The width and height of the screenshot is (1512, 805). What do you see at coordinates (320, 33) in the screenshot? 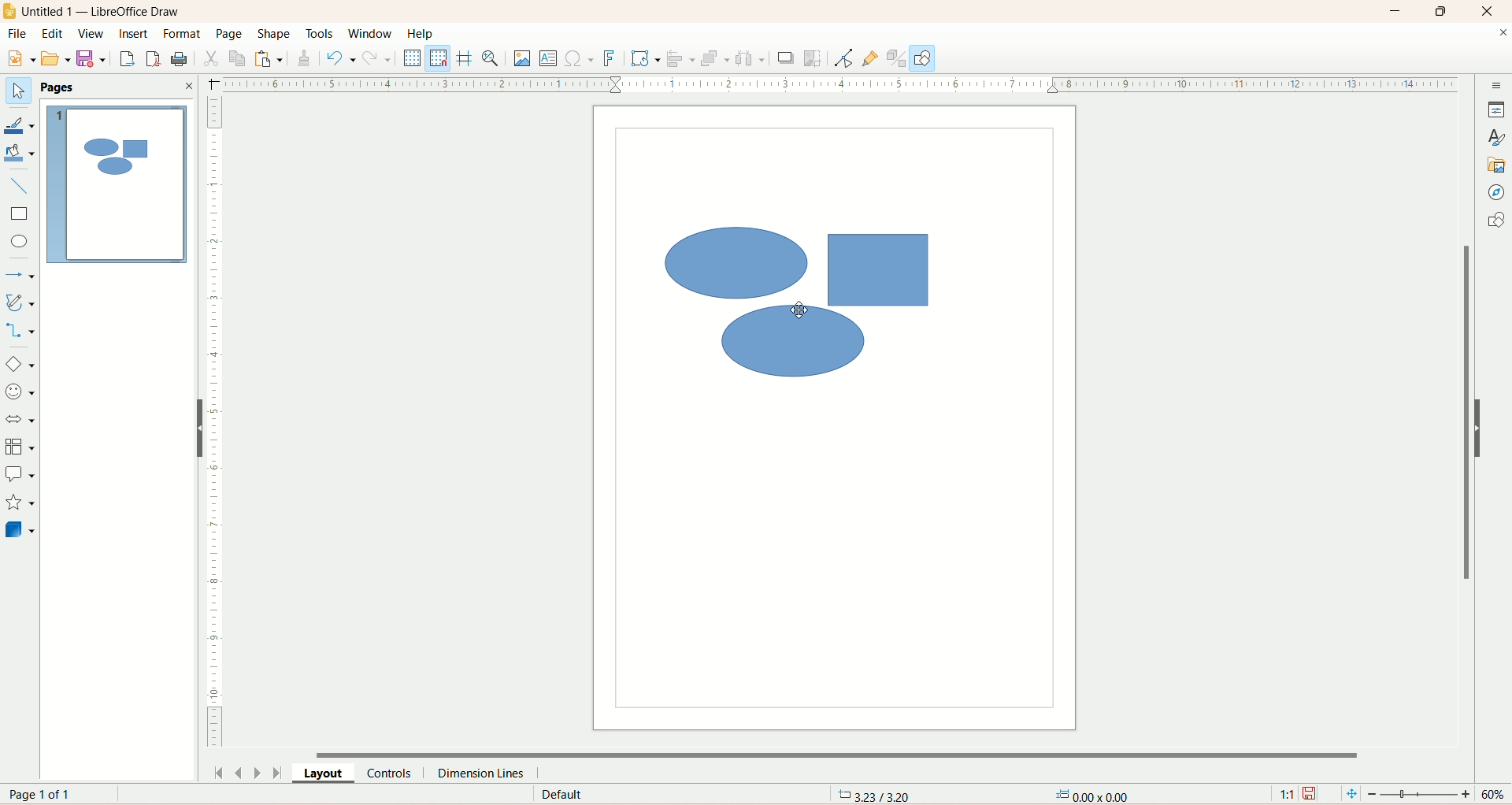
I see `tools` at bounding box center [320, 33].